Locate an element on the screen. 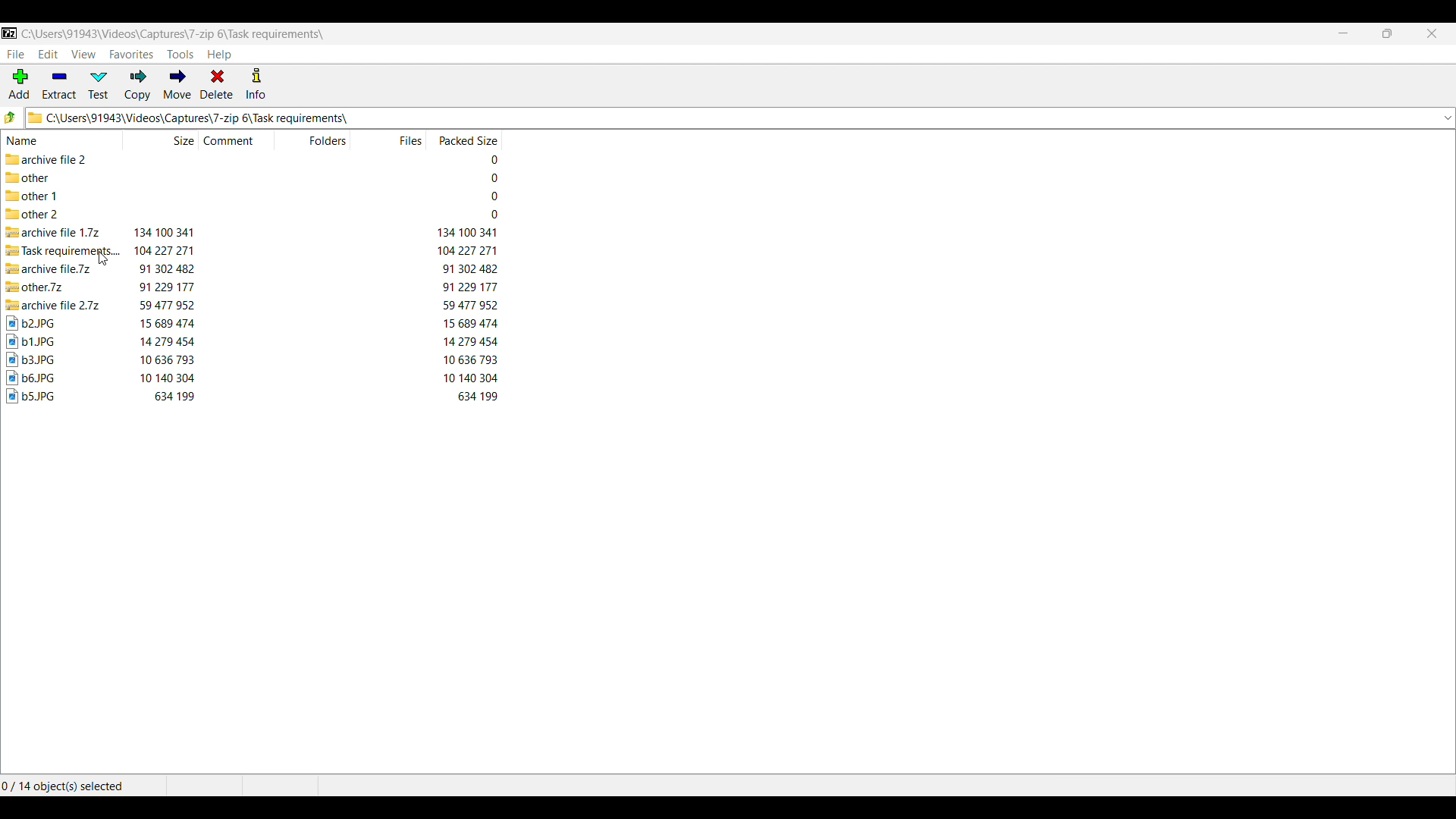 Image resolution: width=1456 pixels, height=819 pixels. size is located at coordinates (166, 360).